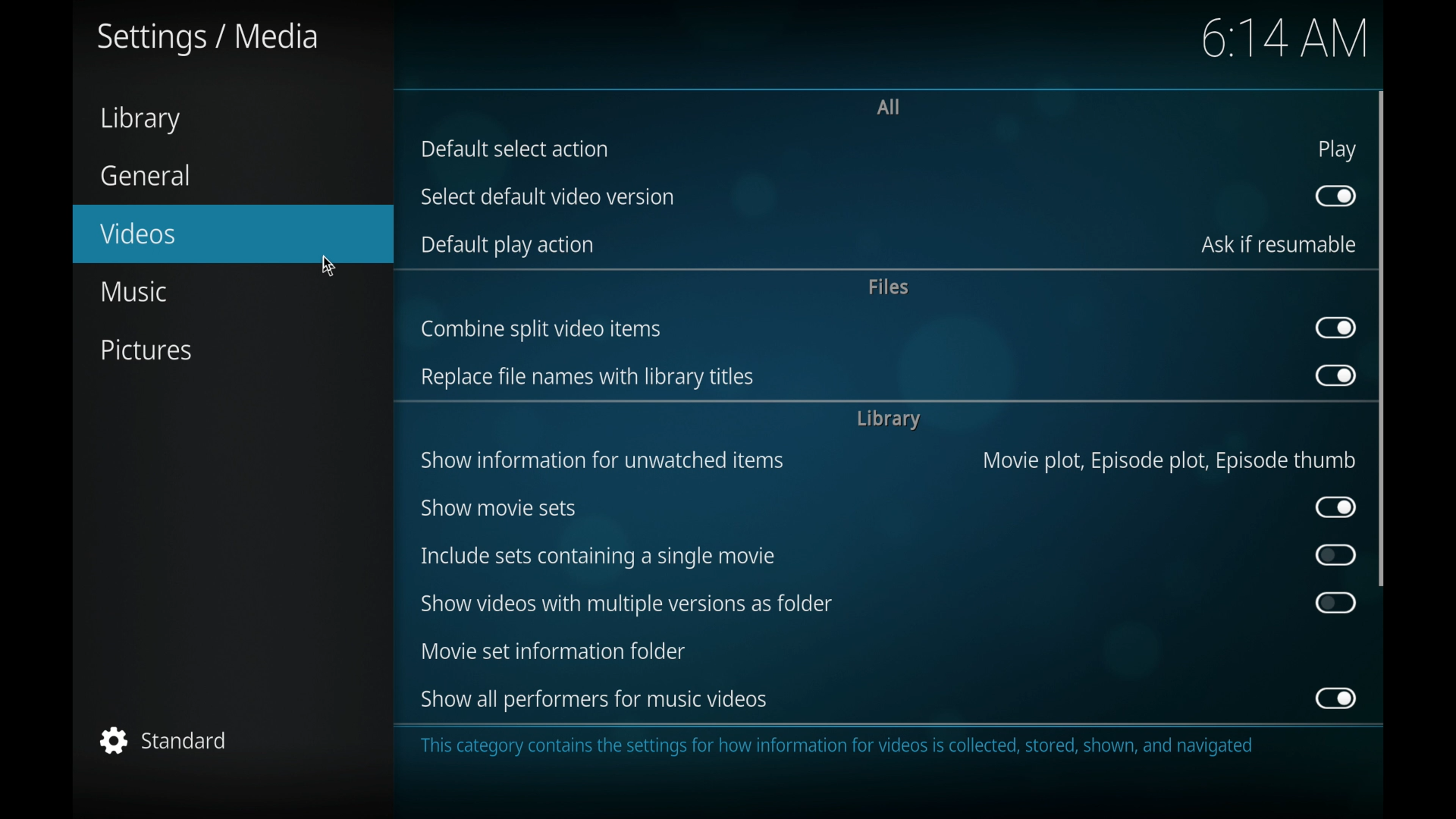  Describe the element at coordinates (544, 196) in the screenshot. I see `select default video version` at that location.